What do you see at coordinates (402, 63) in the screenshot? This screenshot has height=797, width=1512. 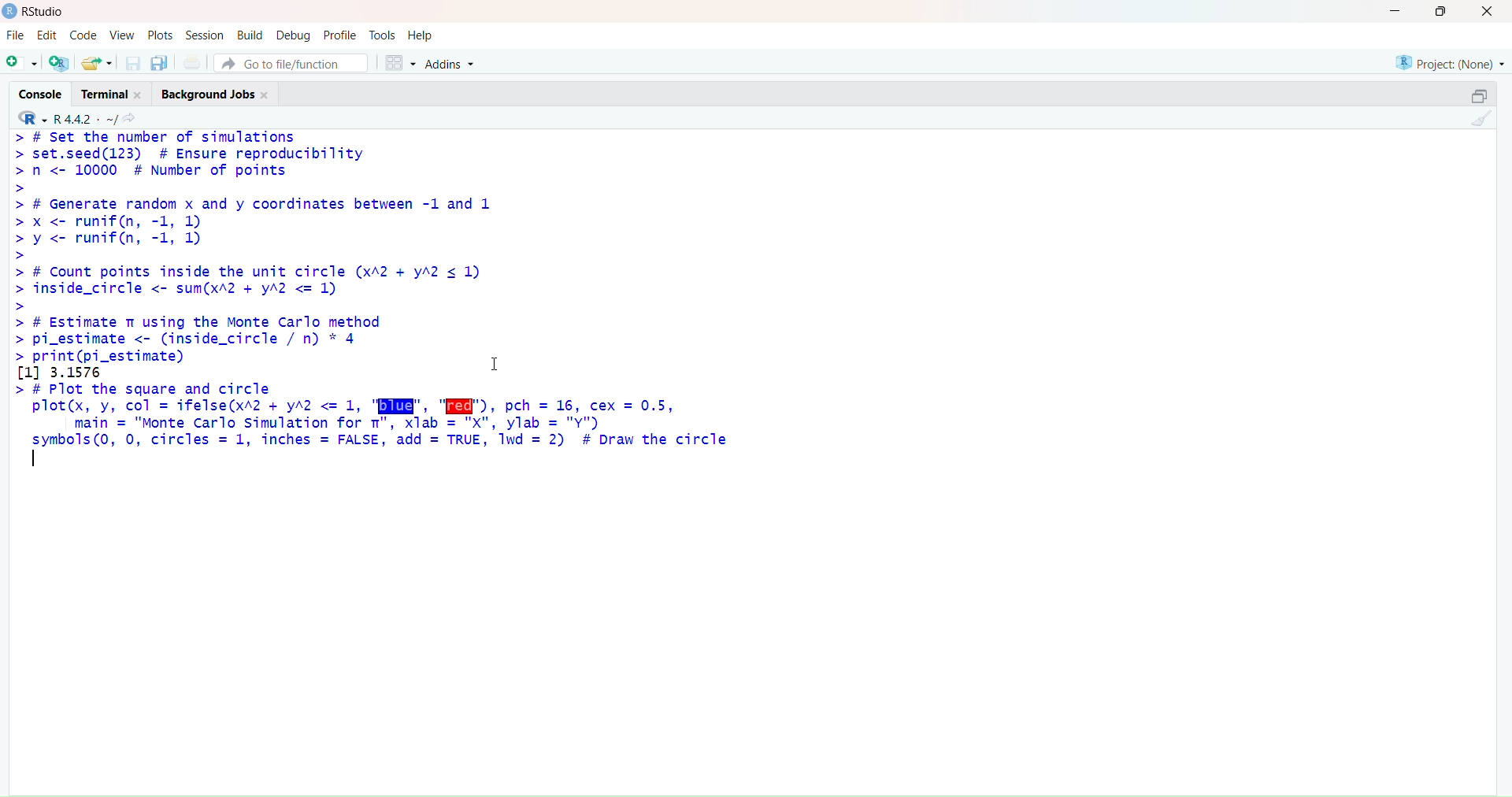 I see `Workspace panes` at bounding box center [402, 63].